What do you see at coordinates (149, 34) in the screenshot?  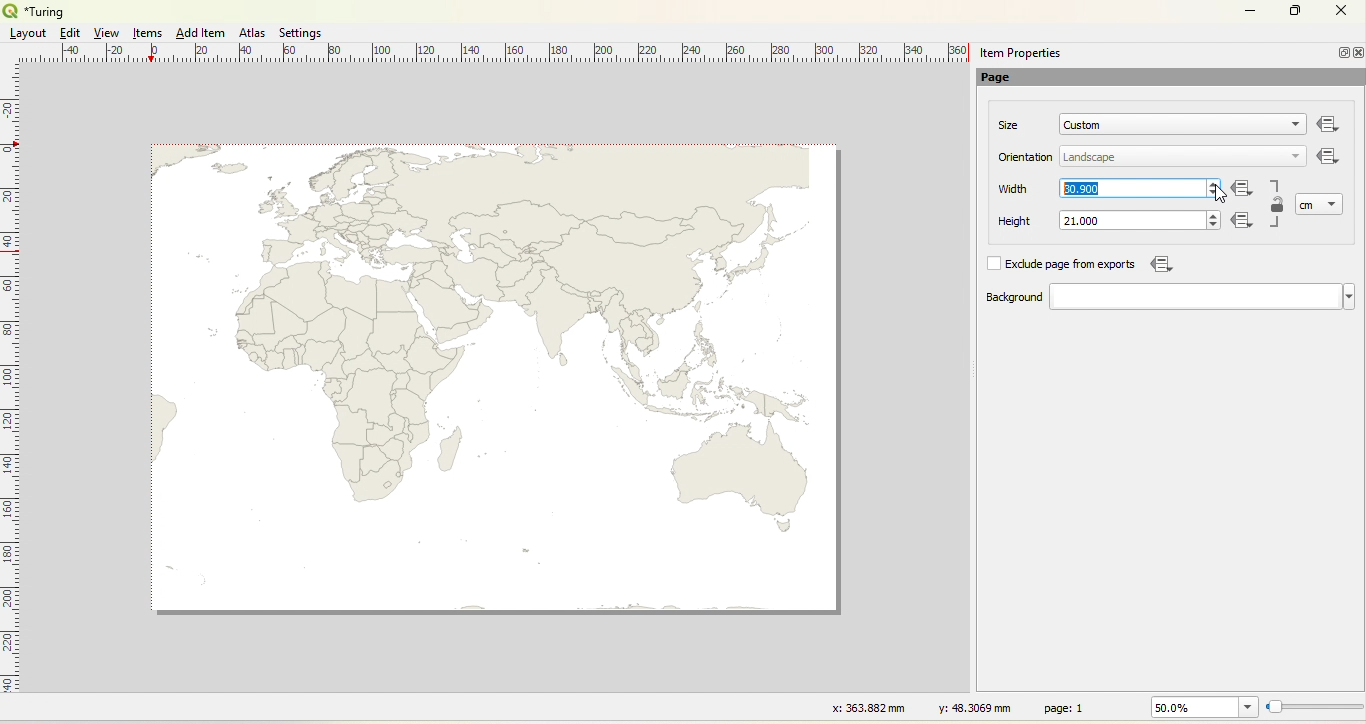 I see `Items` at bounding box center [149, 34].